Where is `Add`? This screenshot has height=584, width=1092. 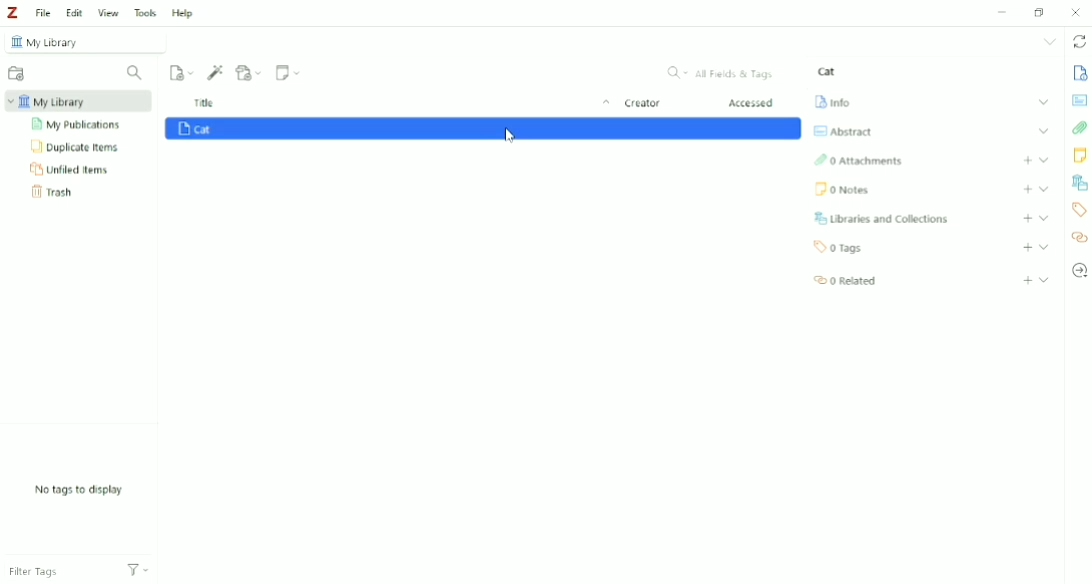
Add is located at coordinates (1028, 160).